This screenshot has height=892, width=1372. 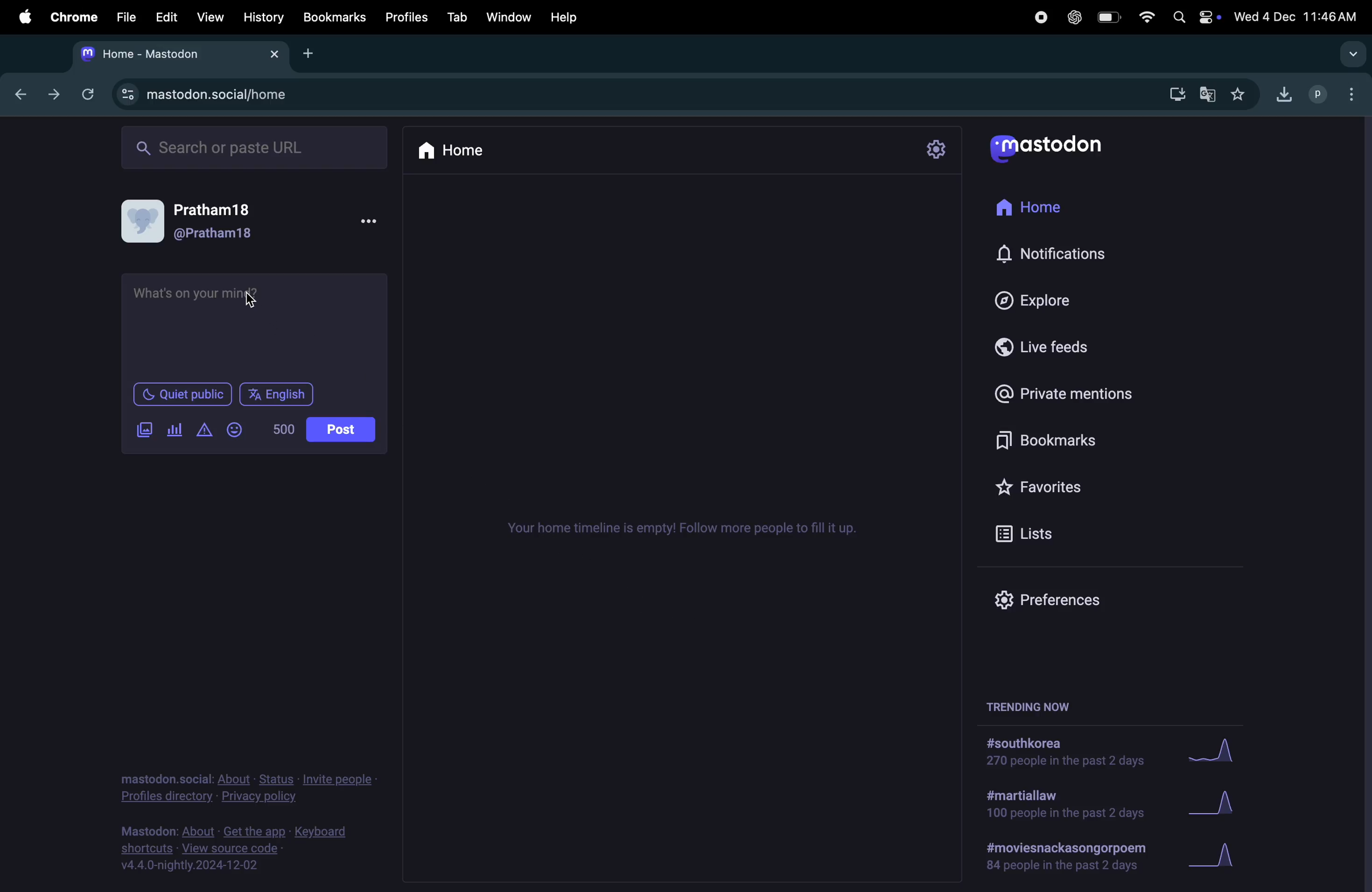 I want to click on Graph, so click(x=1216, y=749).